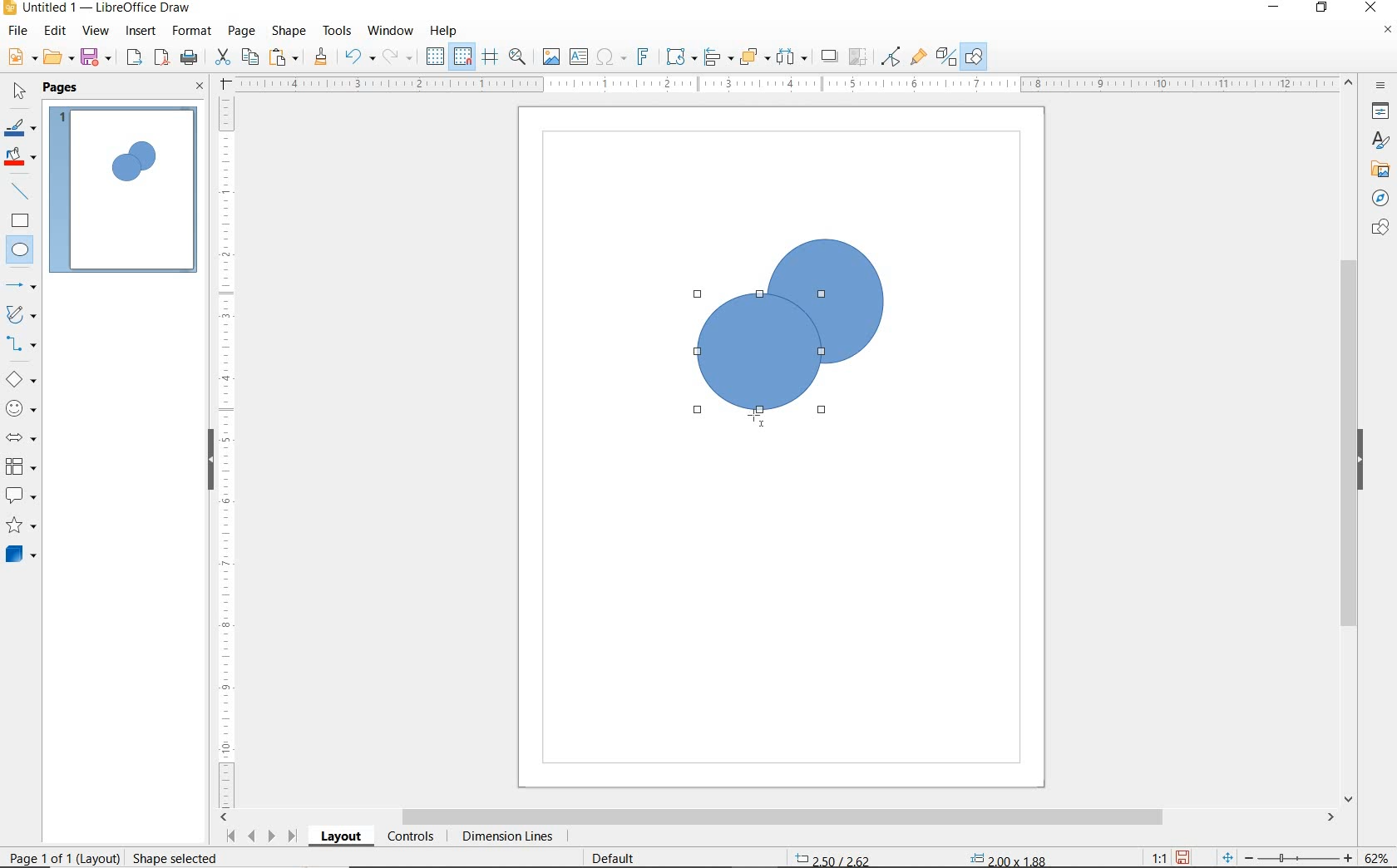 This screenshot has width=1397, height=868. Describe the element at coordinates (641, 57) in the screenshot. I see `INSERT FONTWORK TEXT` at that location.